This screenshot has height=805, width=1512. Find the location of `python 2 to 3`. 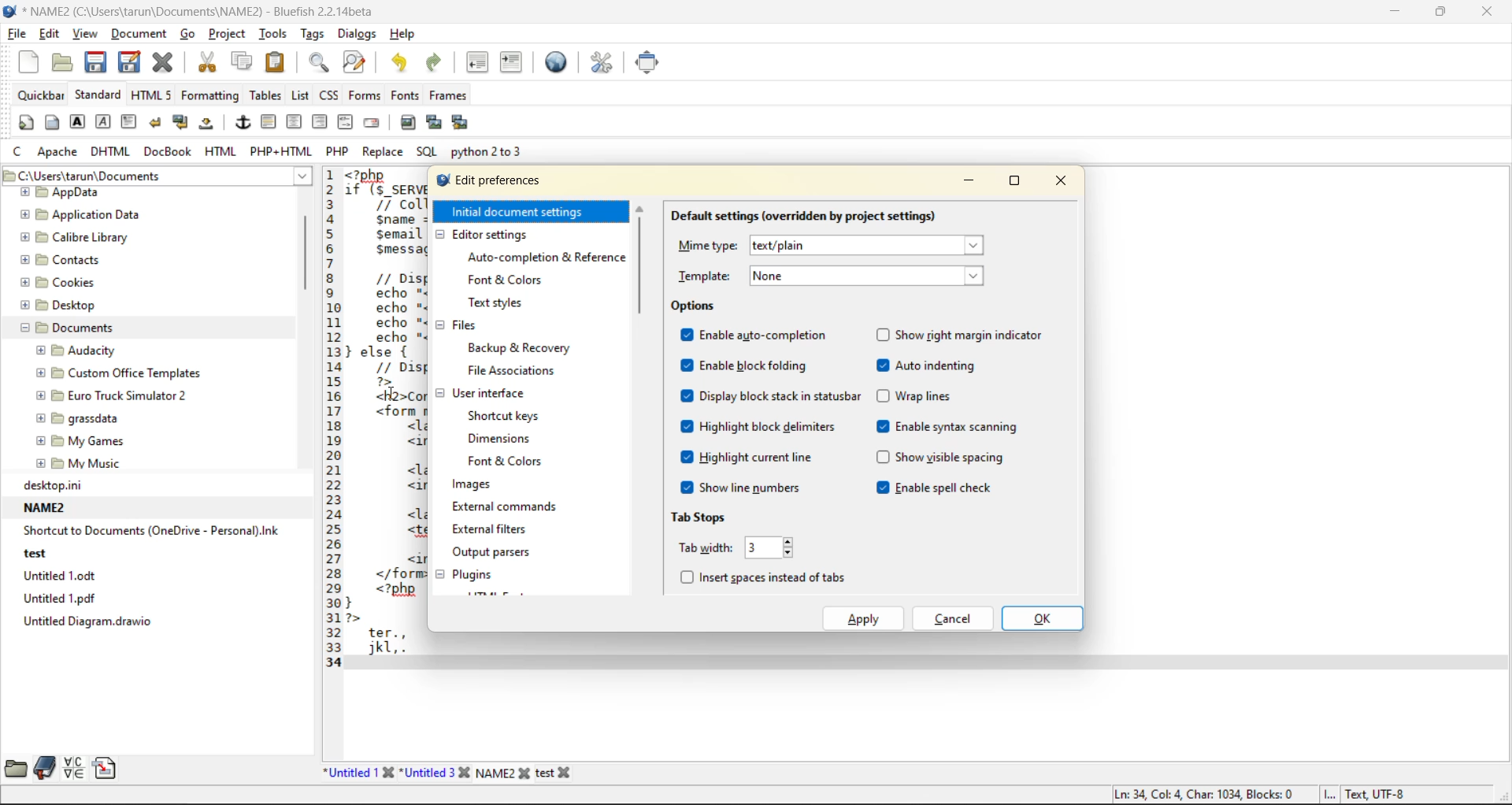

python 2 to 3 is located at coordinates (498, 150).